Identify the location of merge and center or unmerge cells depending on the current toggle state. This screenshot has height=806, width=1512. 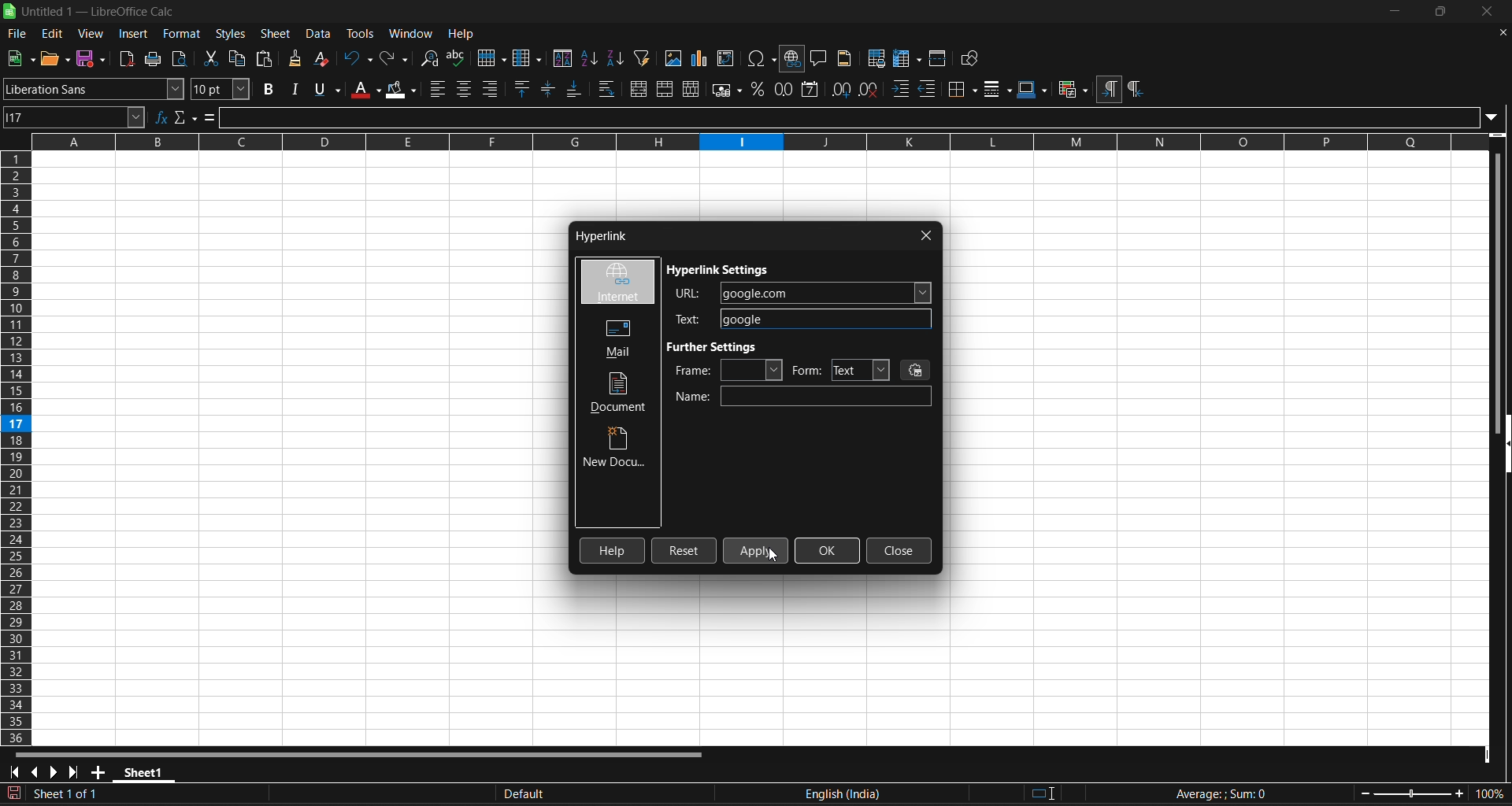
(638, 88).